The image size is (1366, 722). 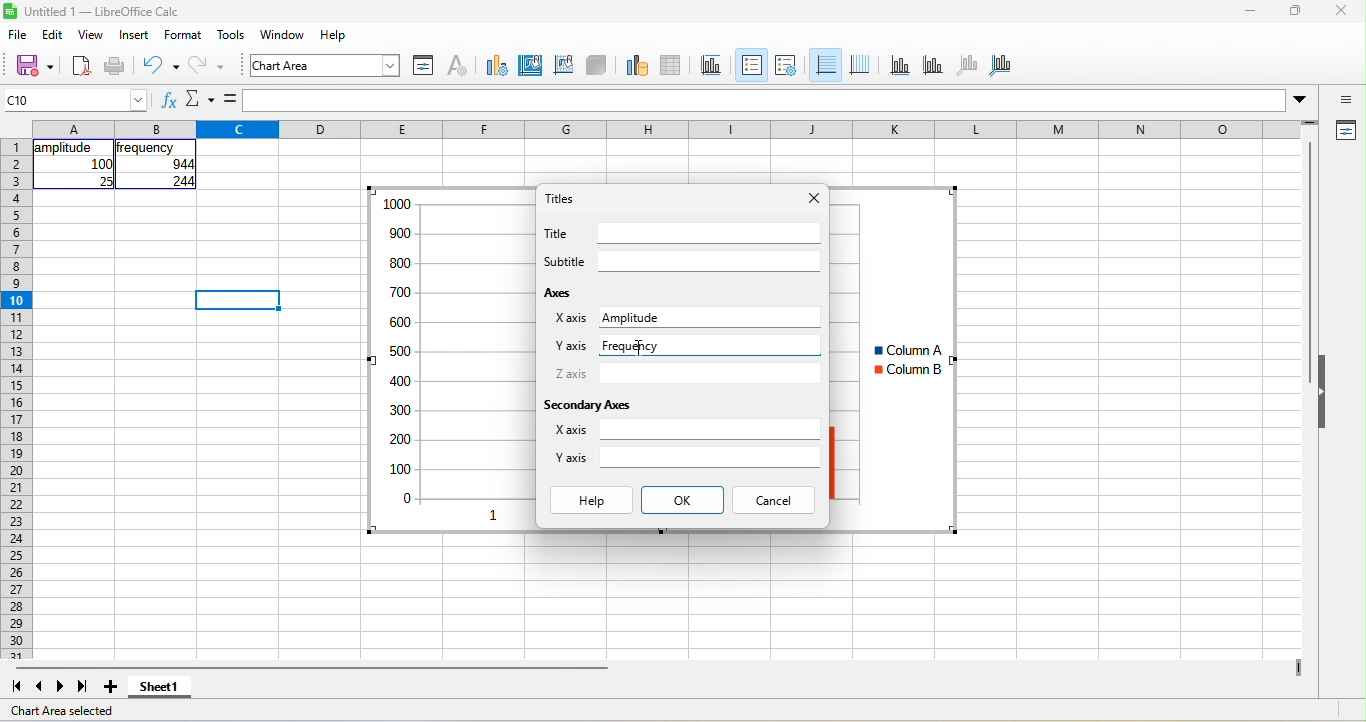 What do you see at coordinates (560, 292) in the screenshot?
I see `axes` at bounding box center [560, 292].